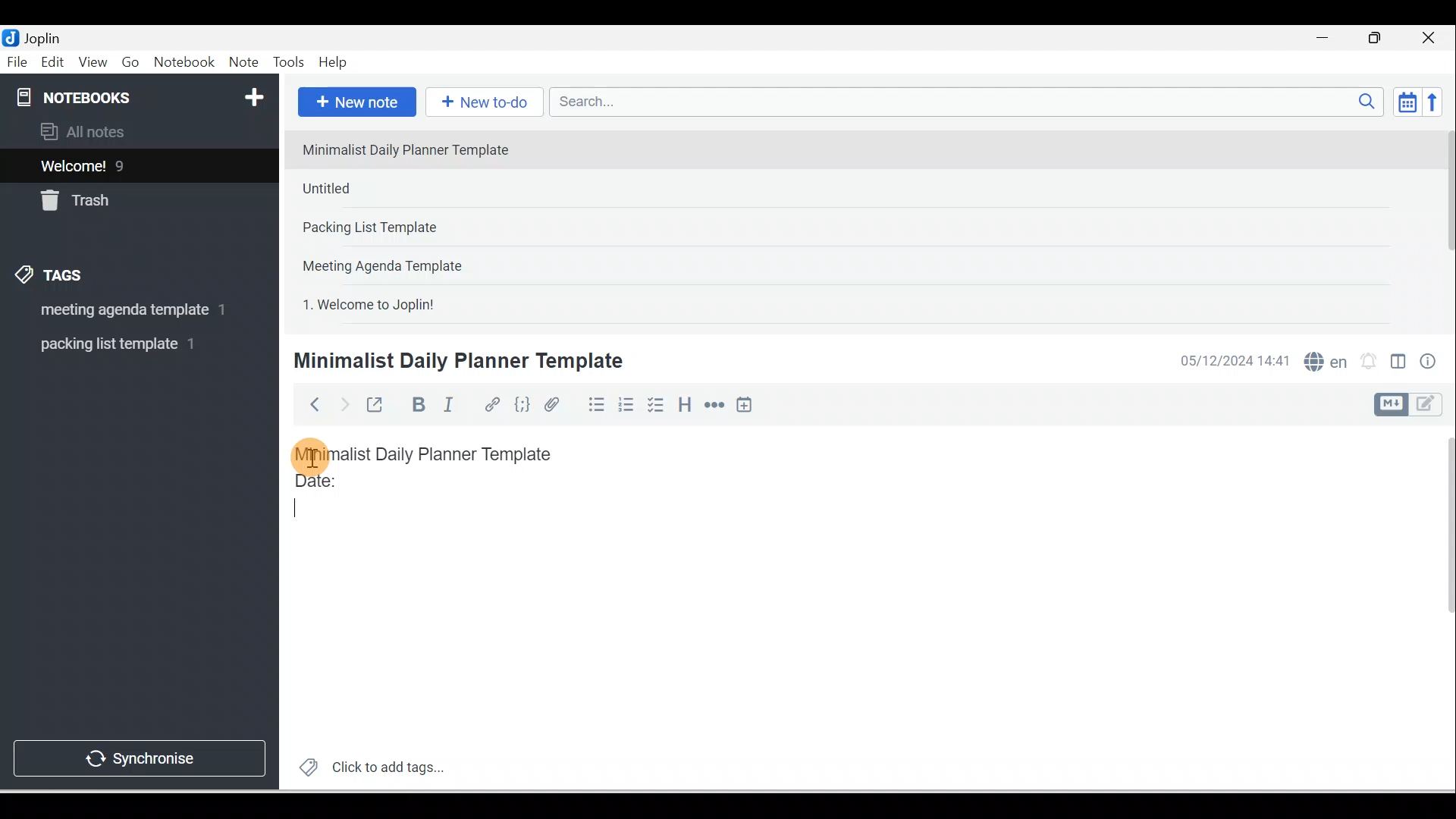 The height and width of the screenshot is (819, 1456). I want to click on Cursor, so click(311, 455).